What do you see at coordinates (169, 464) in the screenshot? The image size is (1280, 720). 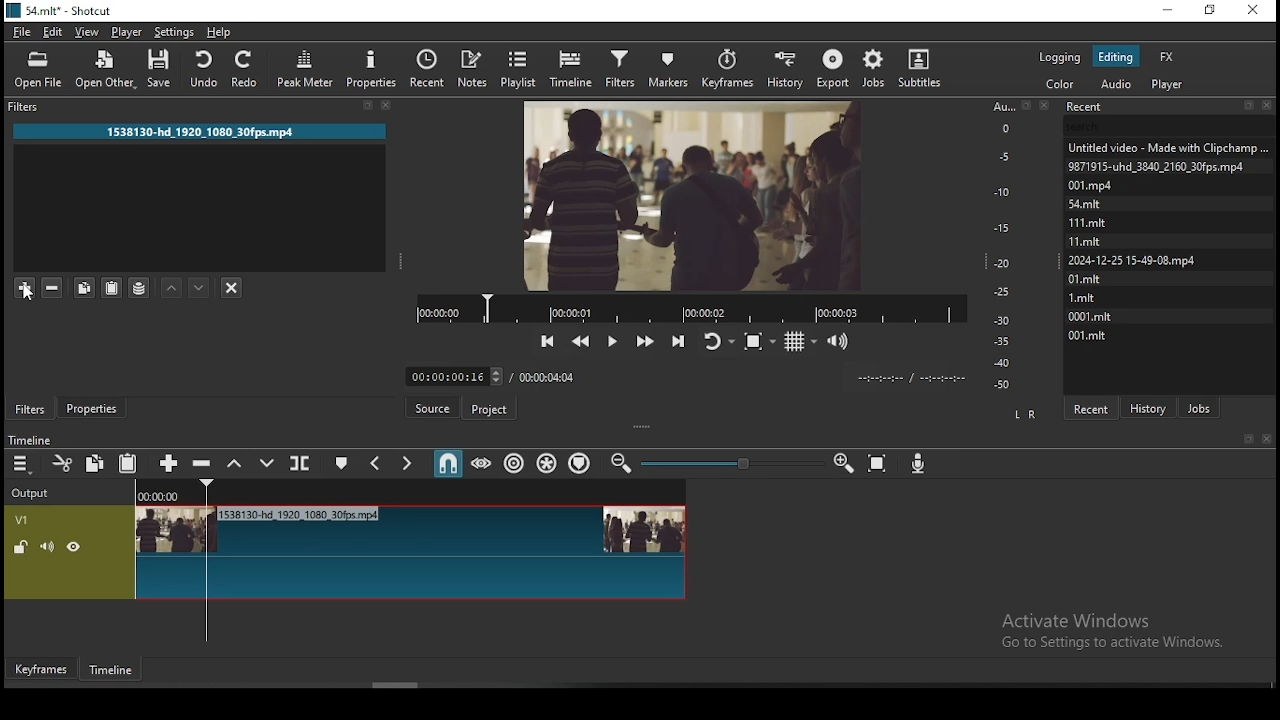 I see `append` at bounding box center [169, 464].